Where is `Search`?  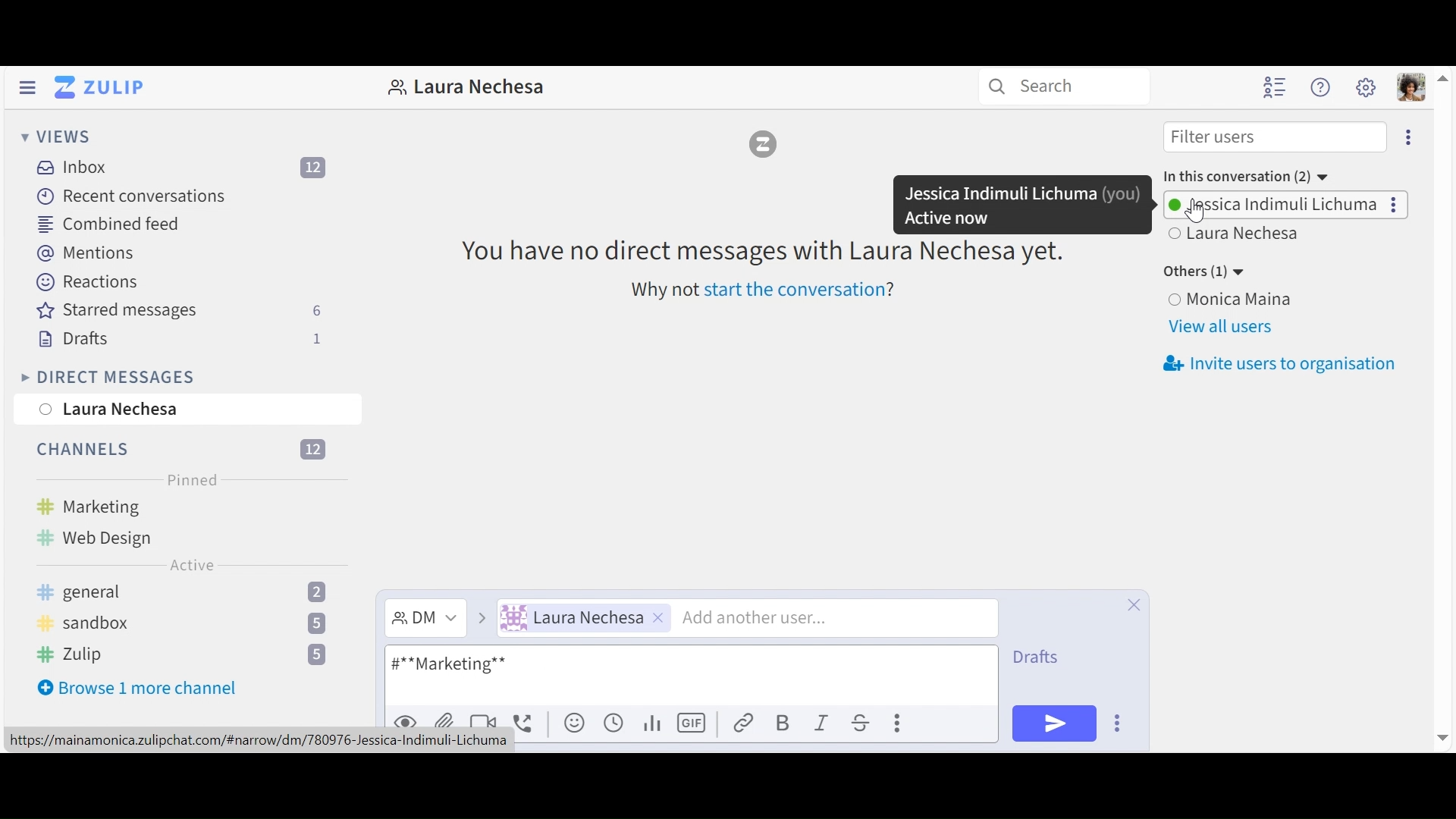 Search is located at coordinates (1063, 86).